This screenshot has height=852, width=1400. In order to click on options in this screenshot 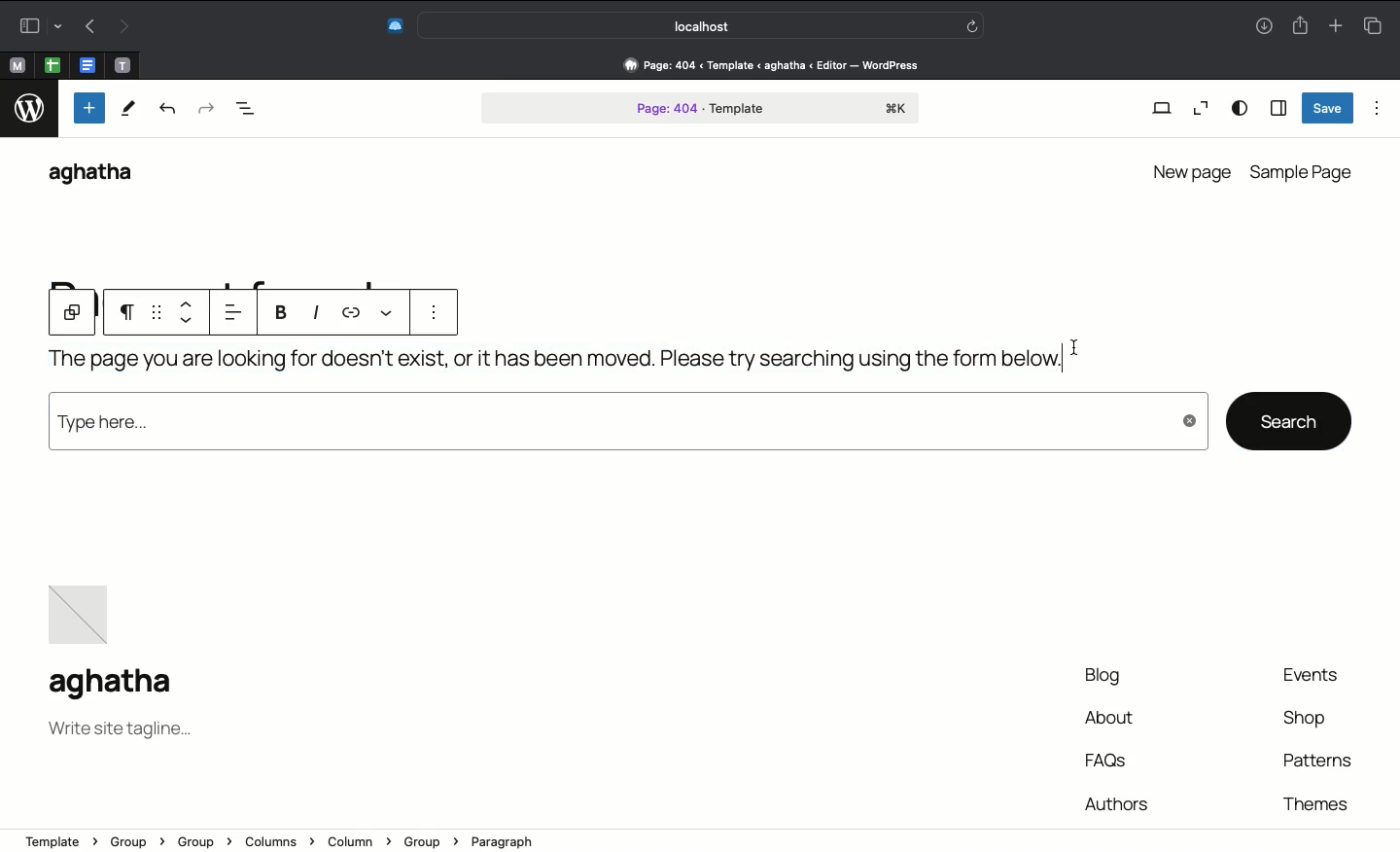, I will do `click(428, 314)`.